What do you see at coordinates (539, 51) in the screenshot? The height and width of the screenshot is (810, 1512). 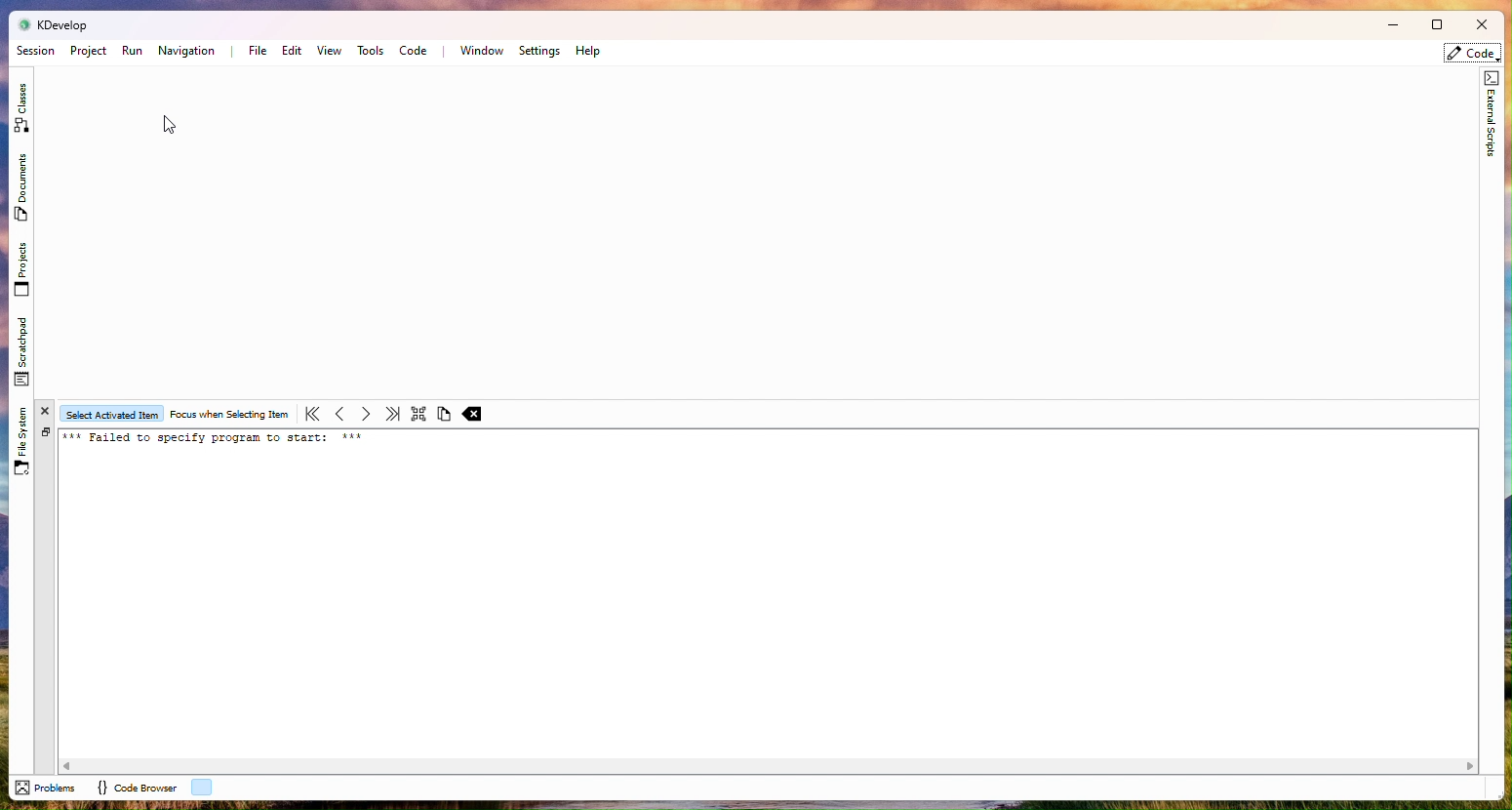 I see `Settings` at bounding box center [539, 51].